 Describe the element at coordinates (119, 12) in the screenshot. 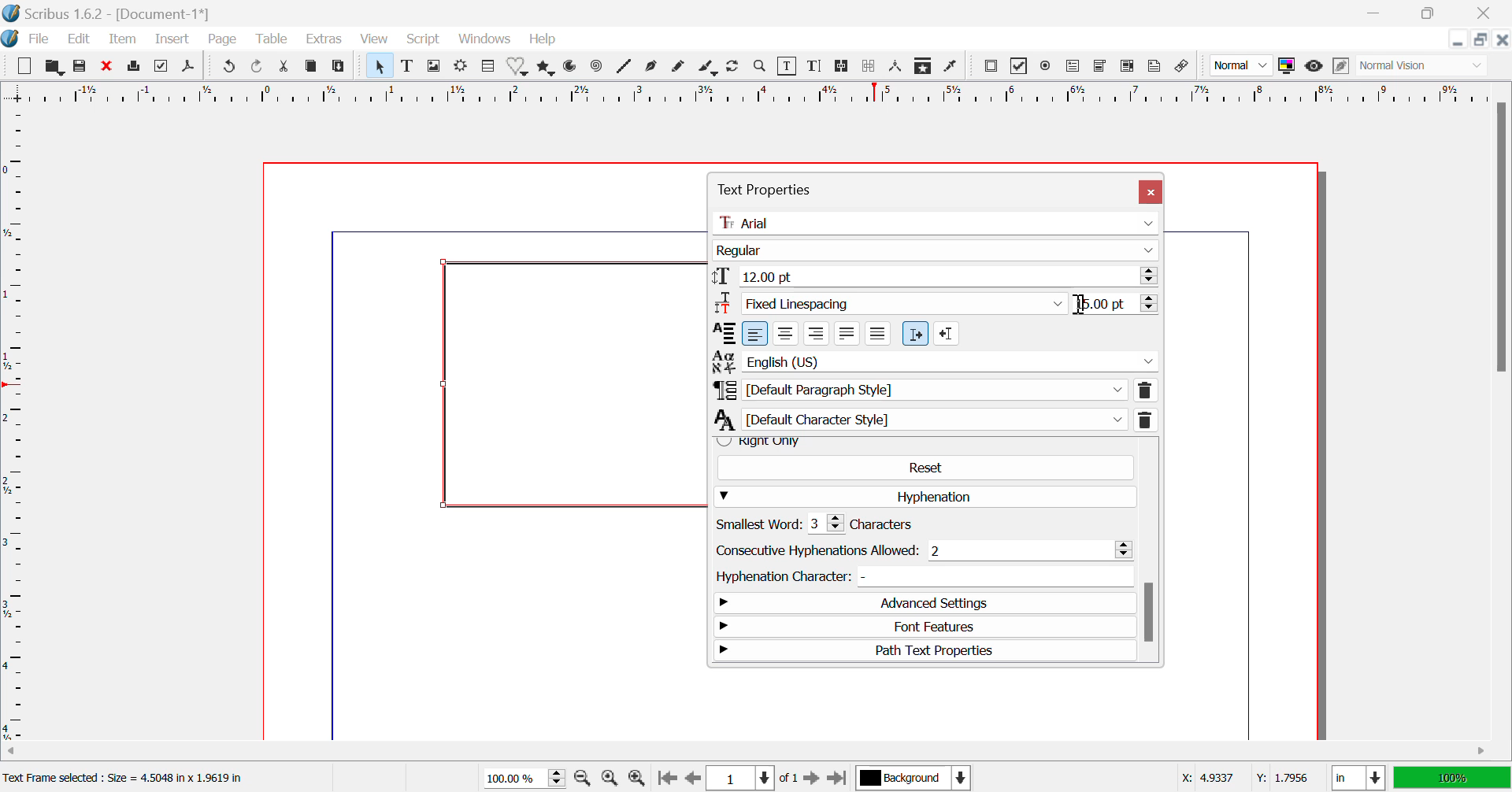

I see `J Scribus 1.6.2 - [Document-1*]` at that location.